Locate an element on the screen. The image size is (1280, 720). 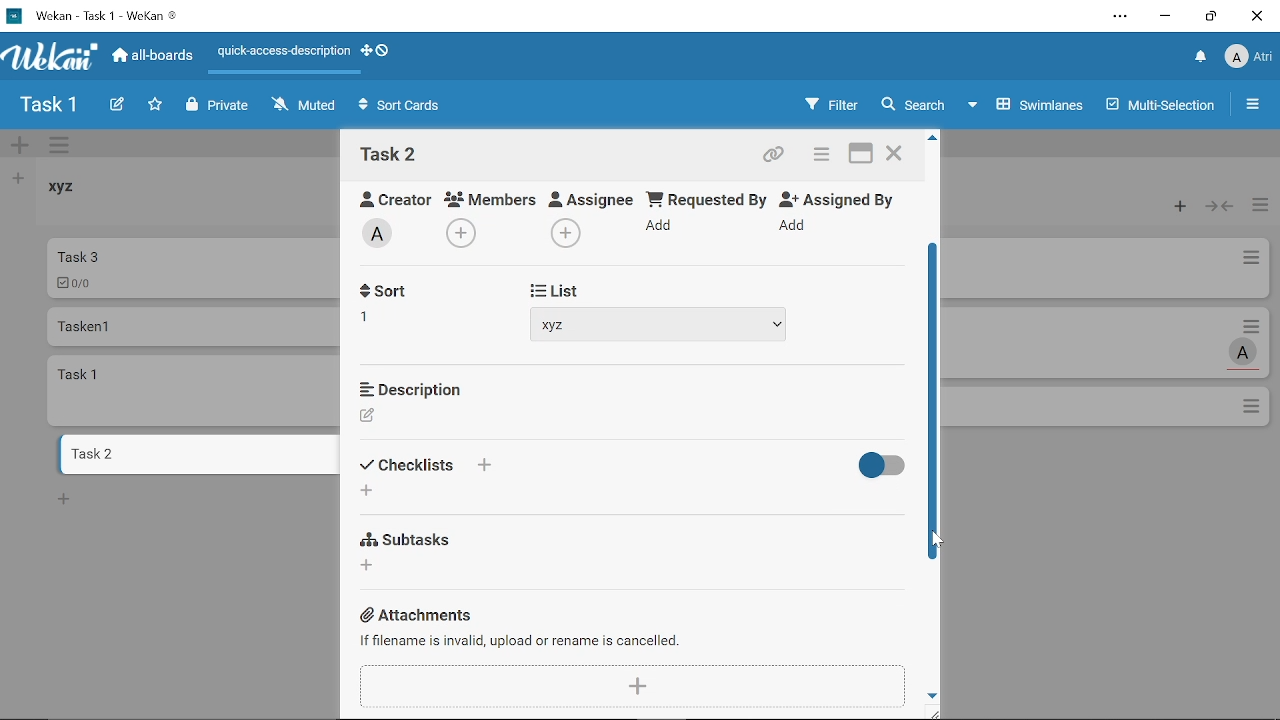
Add labe; is located at coordinates (384, 236).